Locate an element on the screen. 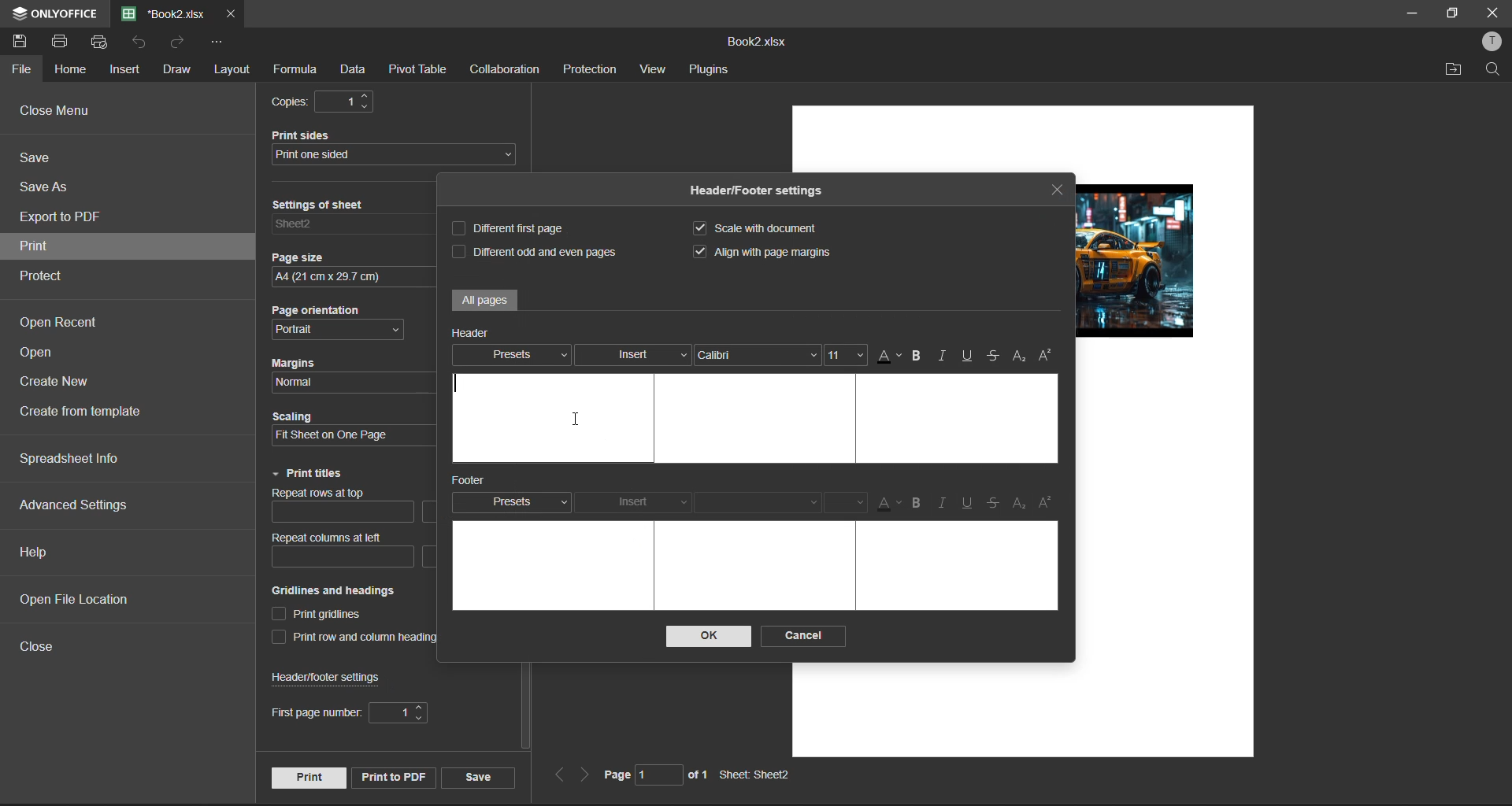 This screenshot has height=806, width=1512. strikethrough is located at coordinates (993, 355).